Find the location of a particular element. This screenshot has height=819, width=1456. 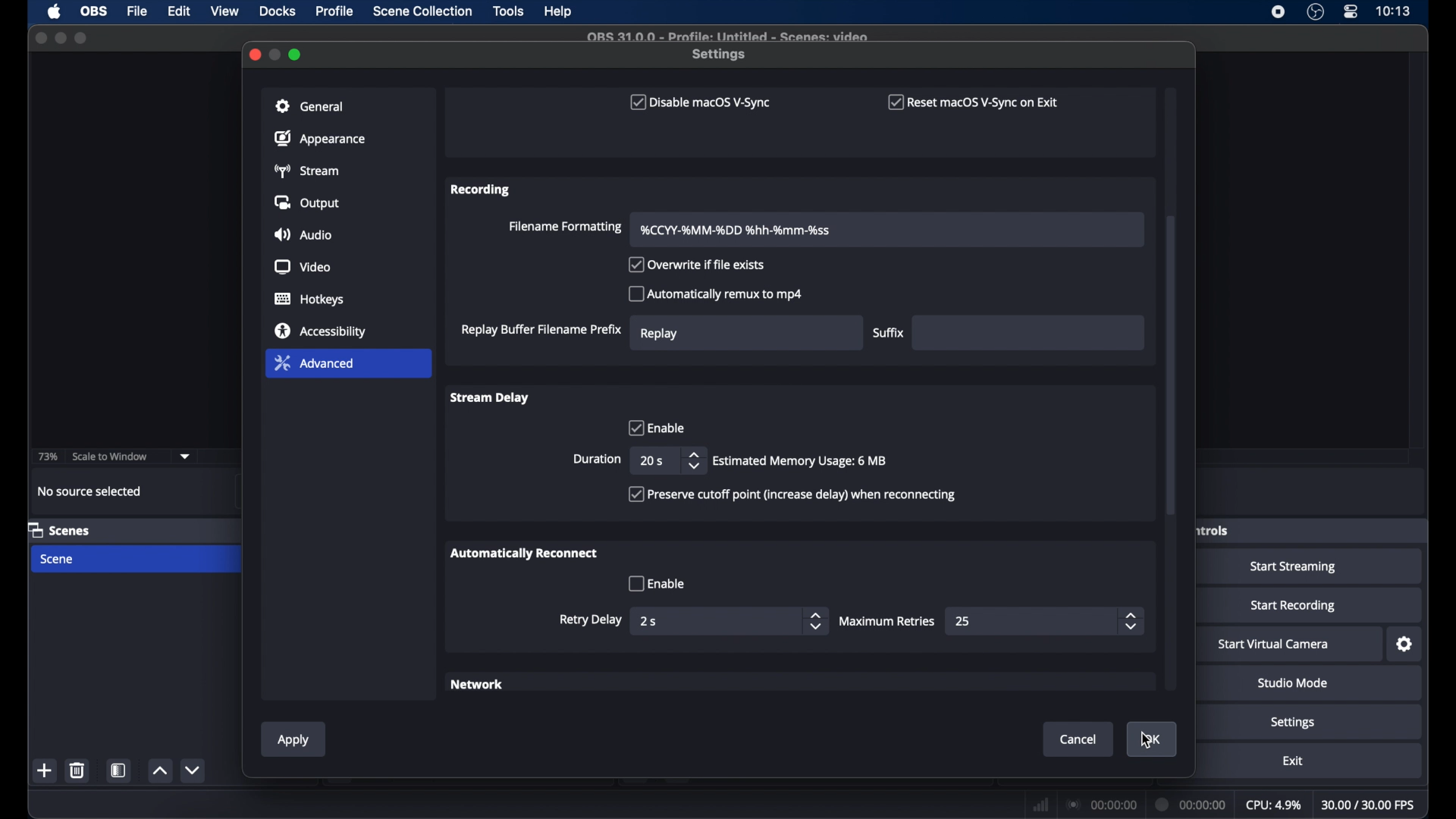

apply  is located at coordinates (293, 740).